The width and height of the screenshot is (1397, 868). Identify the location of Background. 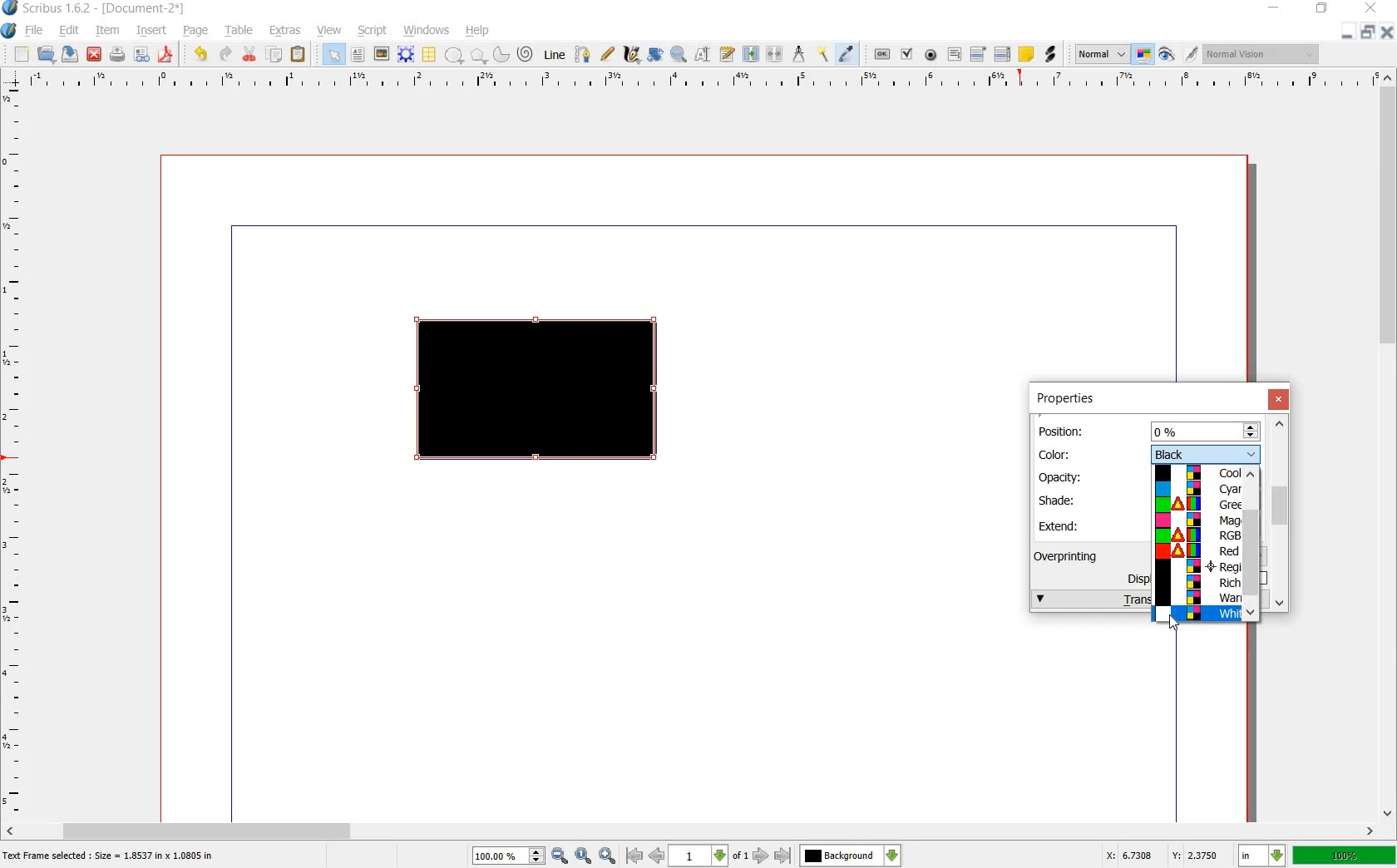
(851, 856).